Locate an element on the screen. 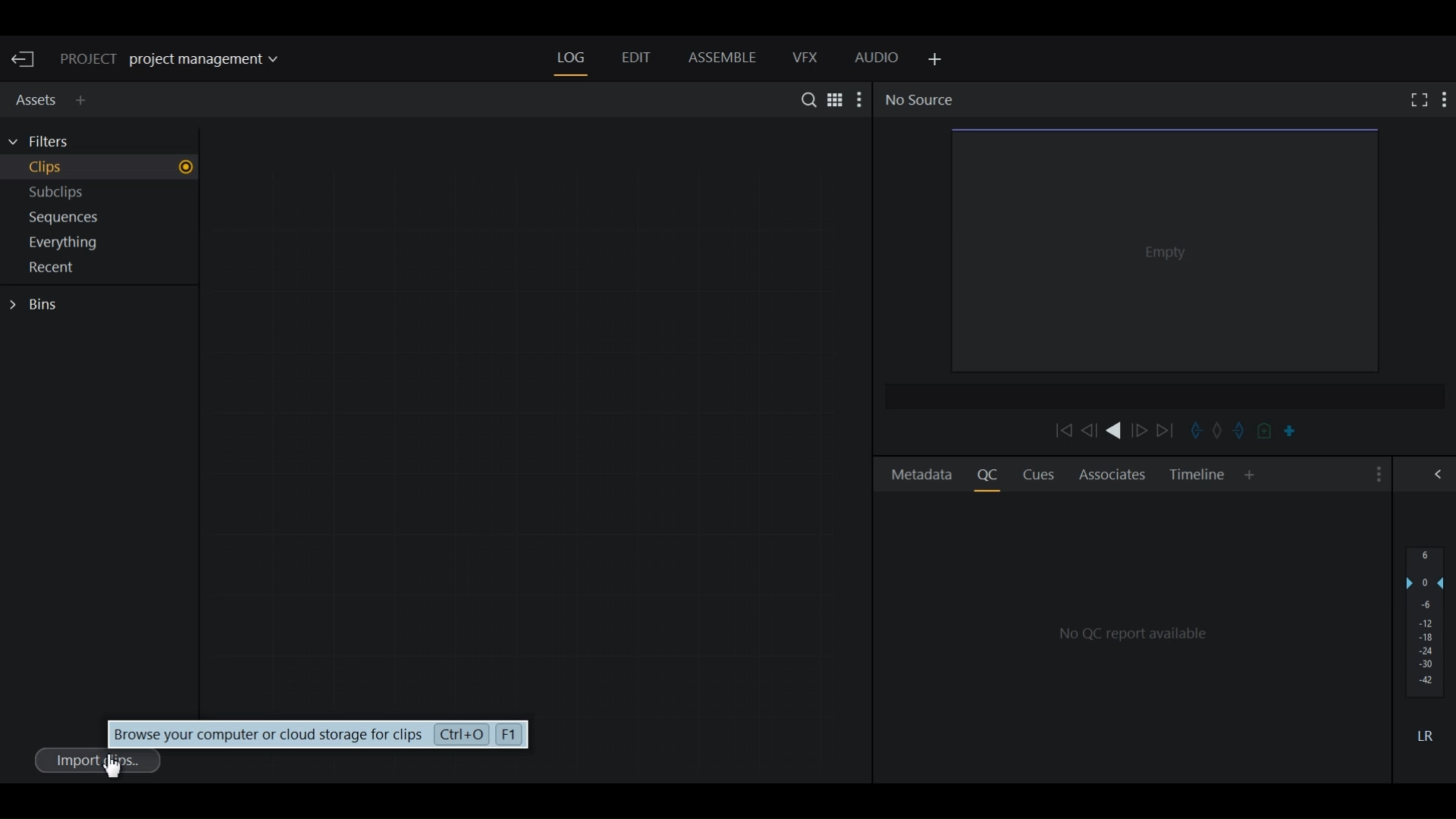 This screenshot has height=819, width=1456. Bins is located at coordinates (38, 305).